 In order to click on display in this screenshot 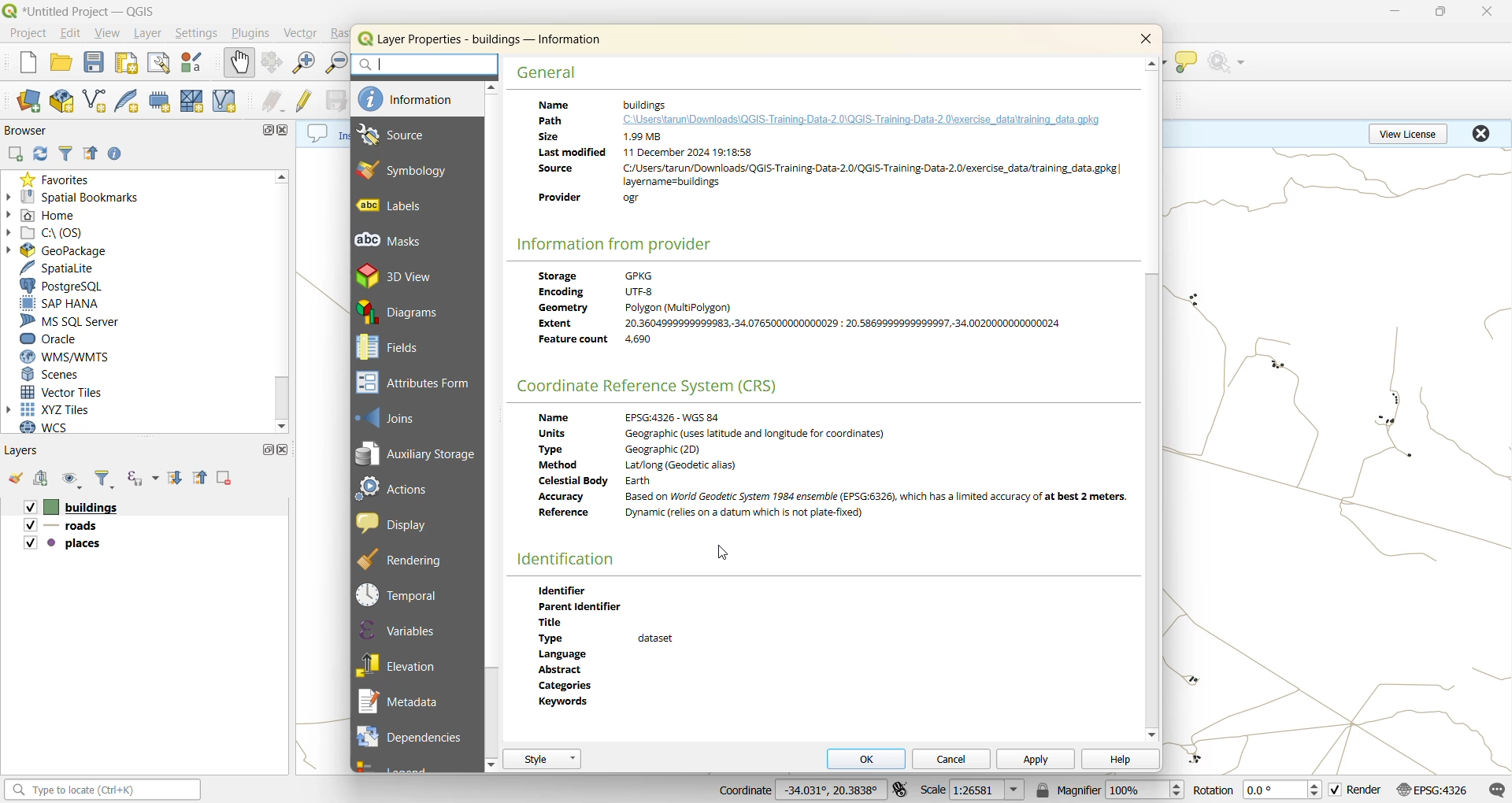, I will do `click(412, 524)`.